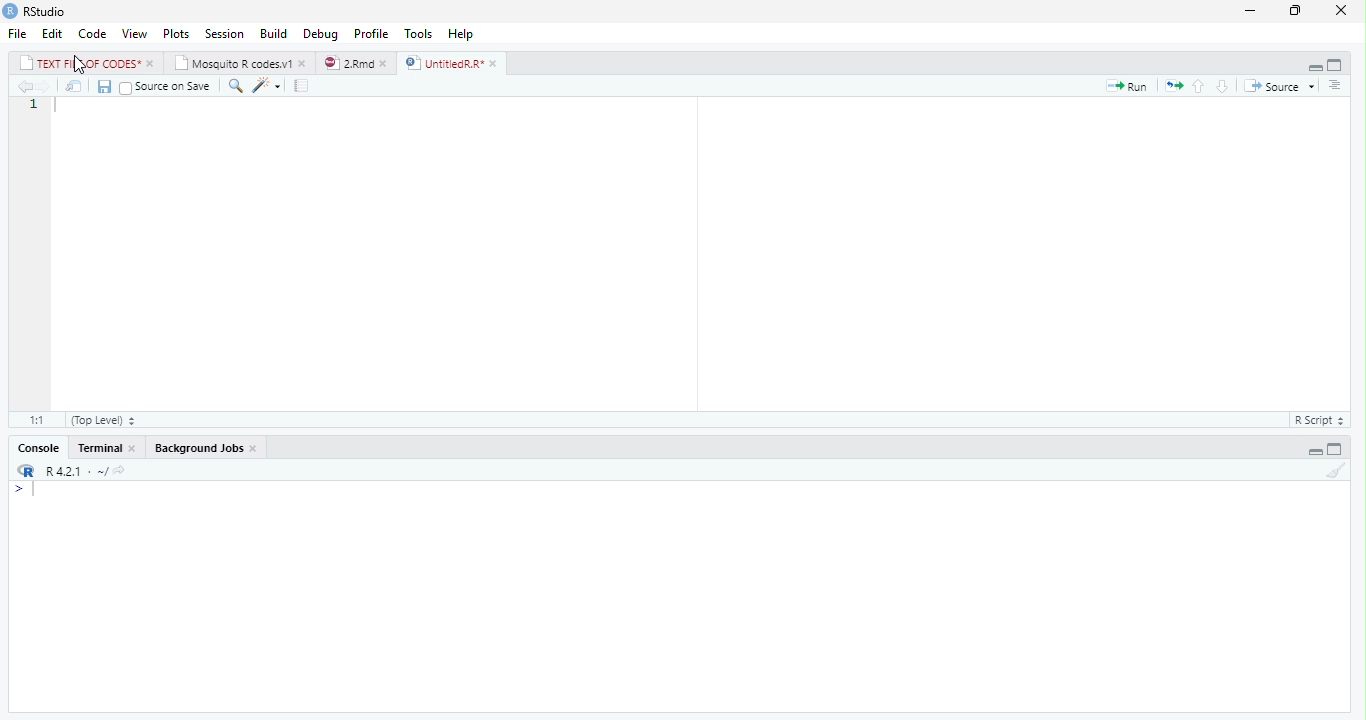  What do you see at coordinates (1341, 11) in the screenshot?
I see `Close` at bounding box center [1341, 11].